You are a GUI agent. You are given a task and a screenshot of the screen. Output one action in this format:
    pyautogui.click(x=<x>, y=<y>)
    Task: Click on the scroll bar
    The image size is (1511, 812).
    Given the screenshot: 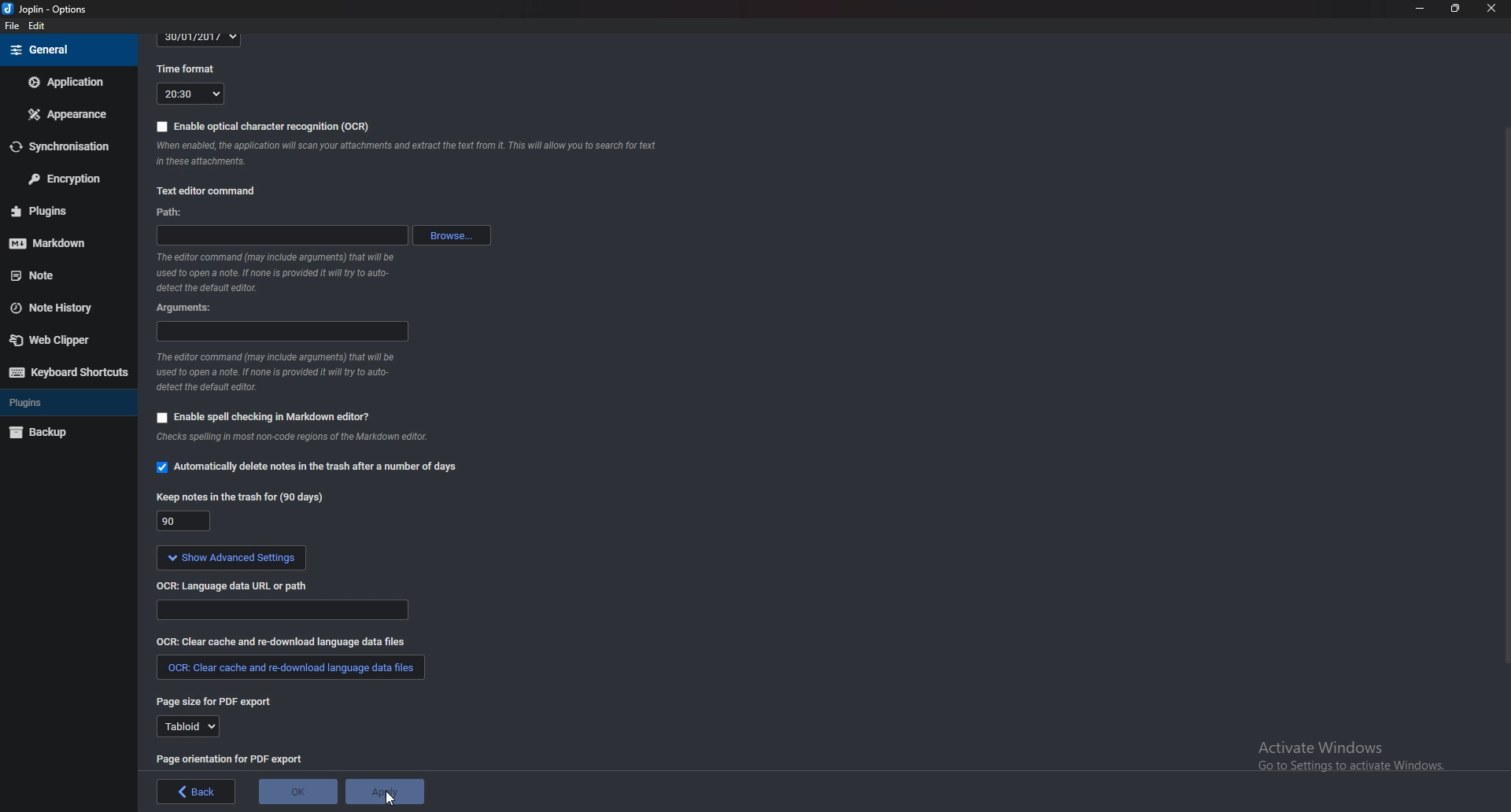 What is the action you would take?
    pyautogui.click(x=1505, y=394)
    